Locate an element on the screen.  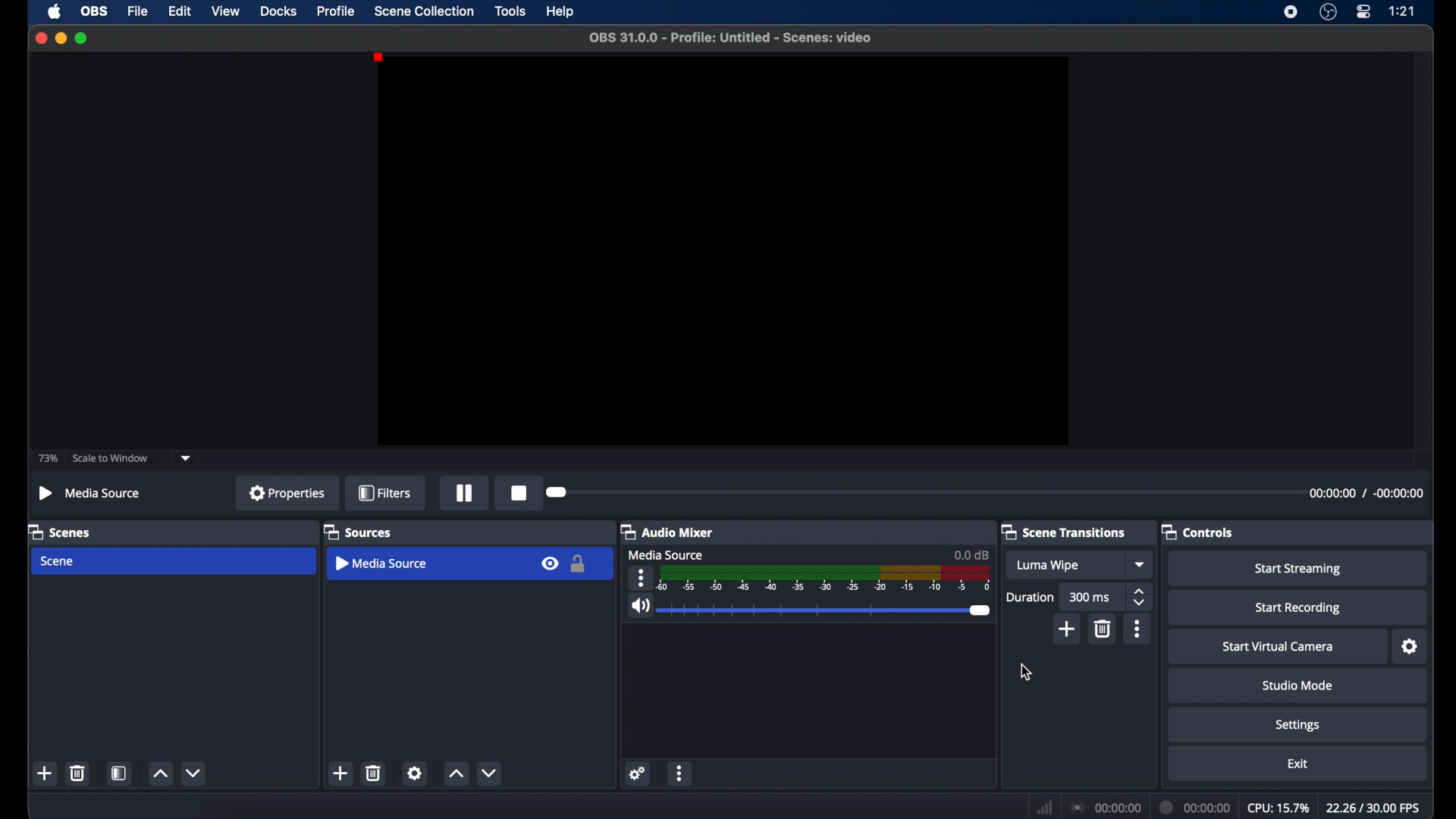
settings is located at coordinates (637, 773).